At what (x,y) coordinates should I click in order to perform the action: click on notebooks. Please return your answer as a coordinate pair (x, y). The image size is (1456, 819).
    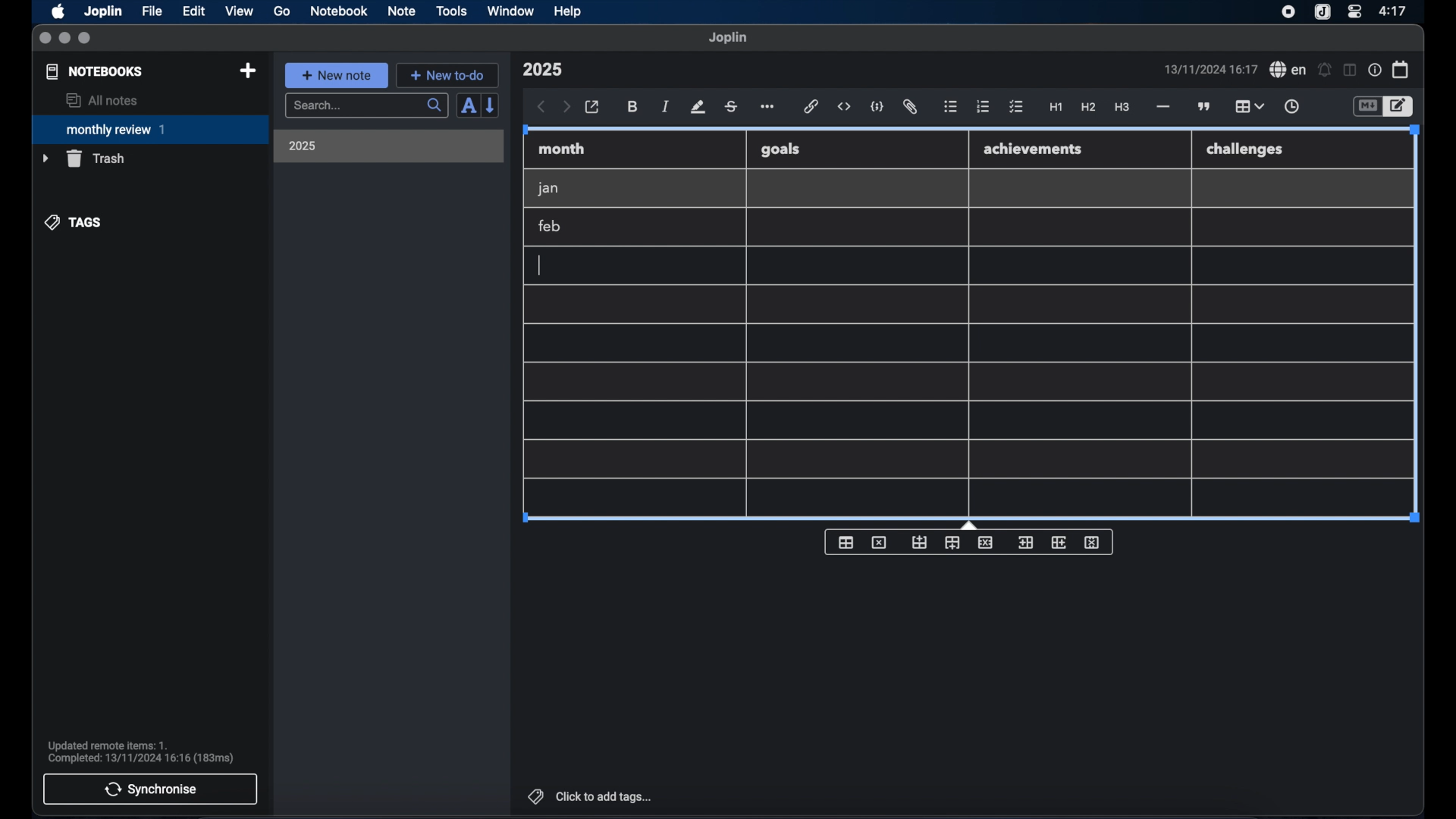
    Looking at the image, I should click on (95, 71).